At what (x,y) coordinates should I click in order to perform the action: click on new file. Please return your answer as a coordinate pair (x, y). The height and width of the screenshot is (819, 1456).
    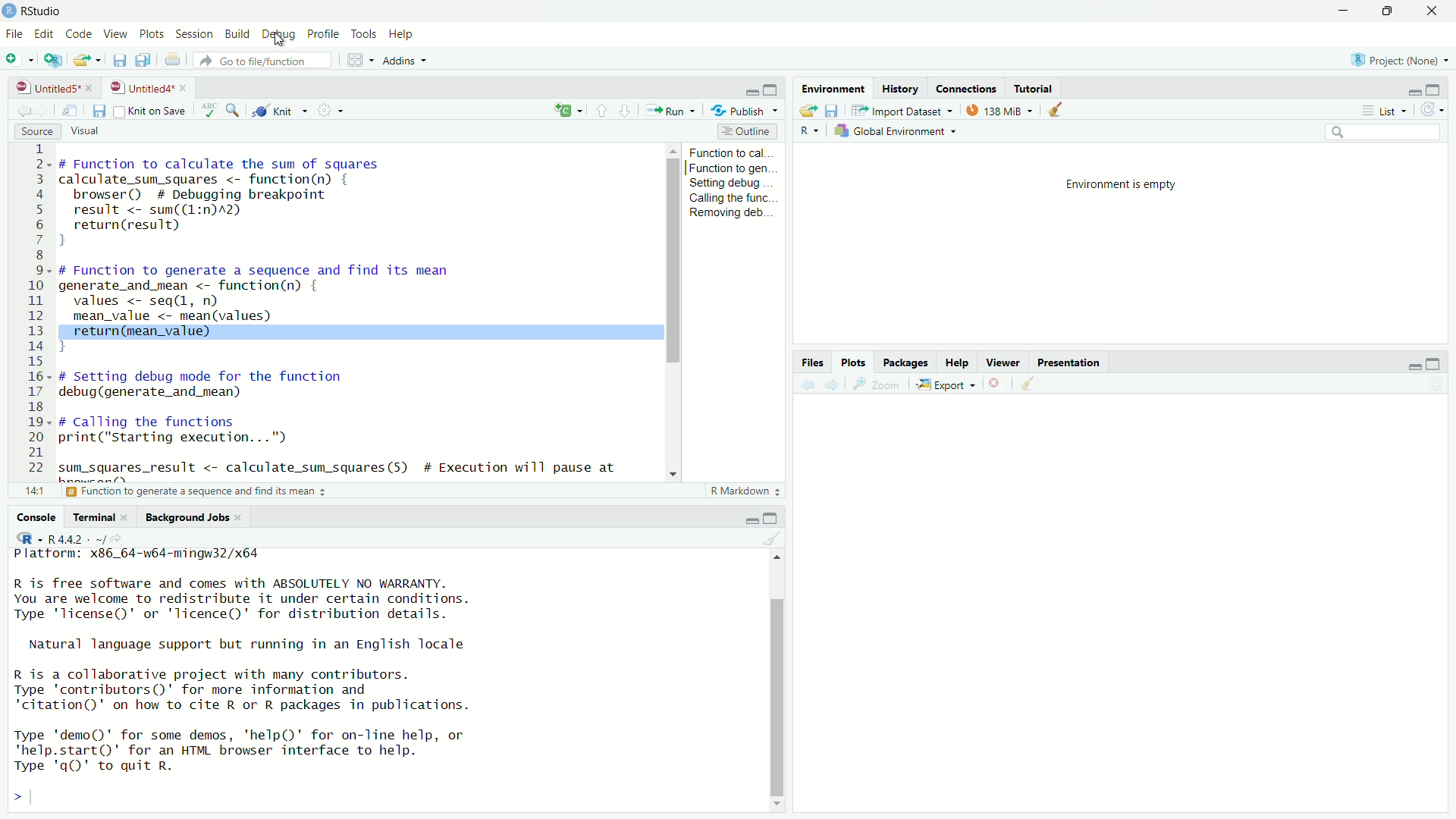
    Looking at the image, I should click on (19, 60).